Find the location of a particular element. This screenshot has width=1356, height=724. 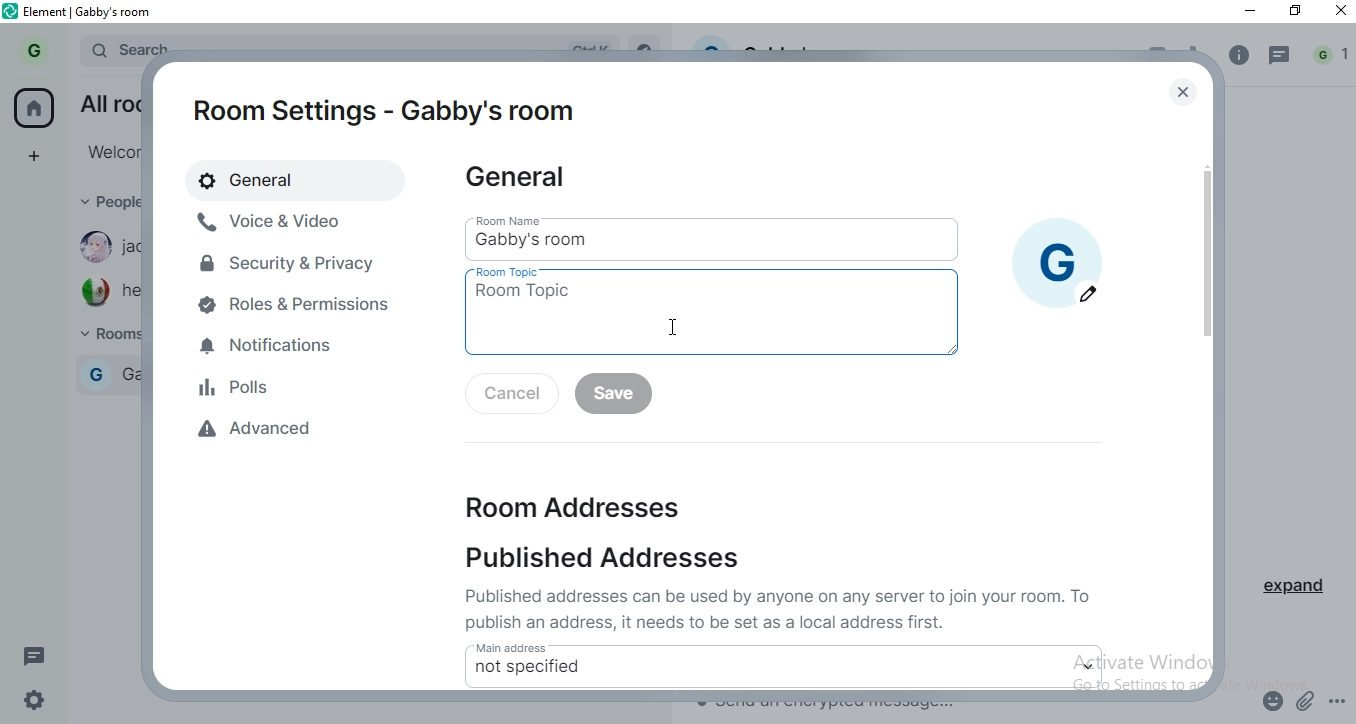

general is located at coordinates (524, 182).